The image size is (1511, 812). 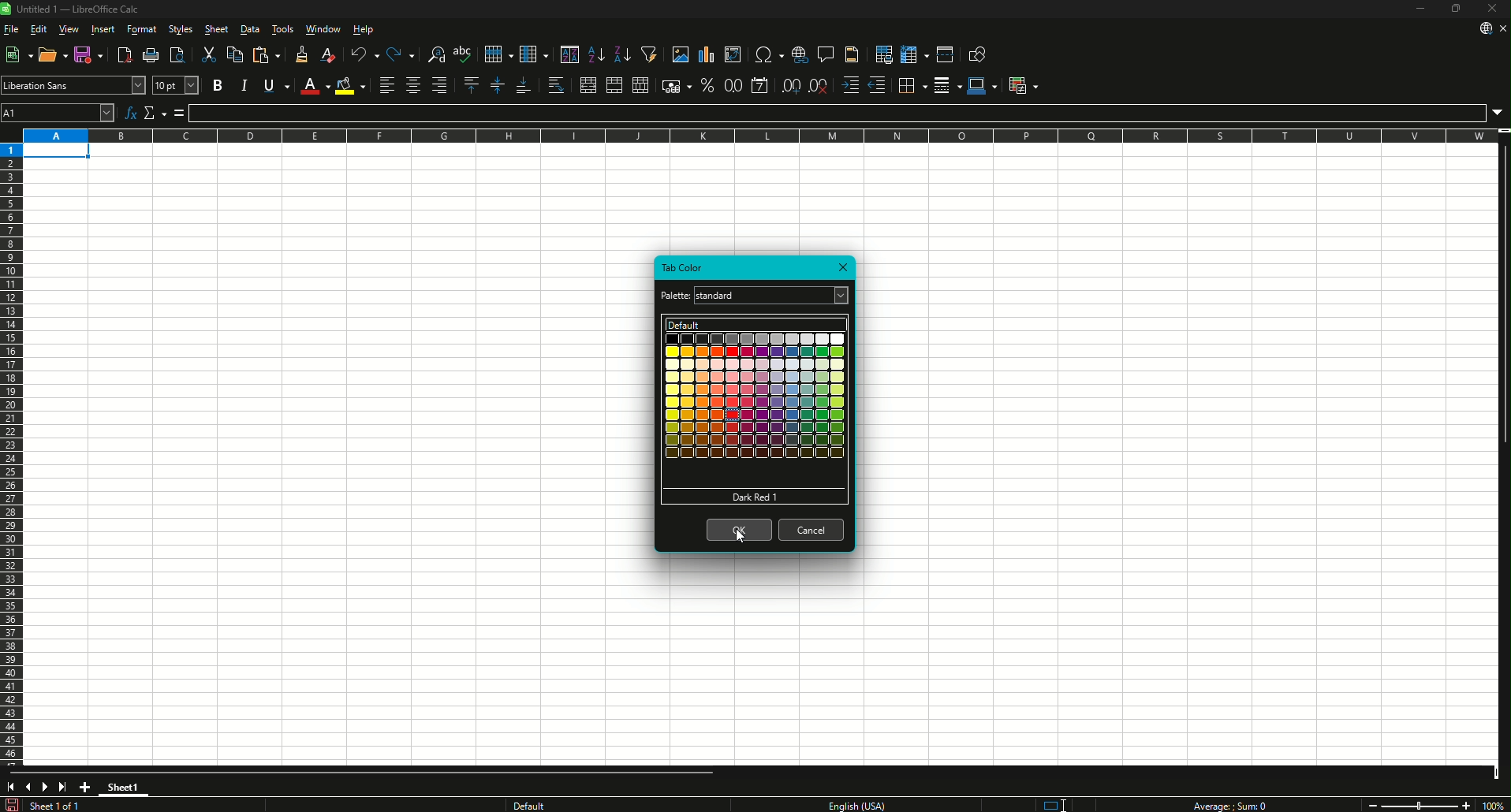 I want to click on Close, so click(x=842, y=267).